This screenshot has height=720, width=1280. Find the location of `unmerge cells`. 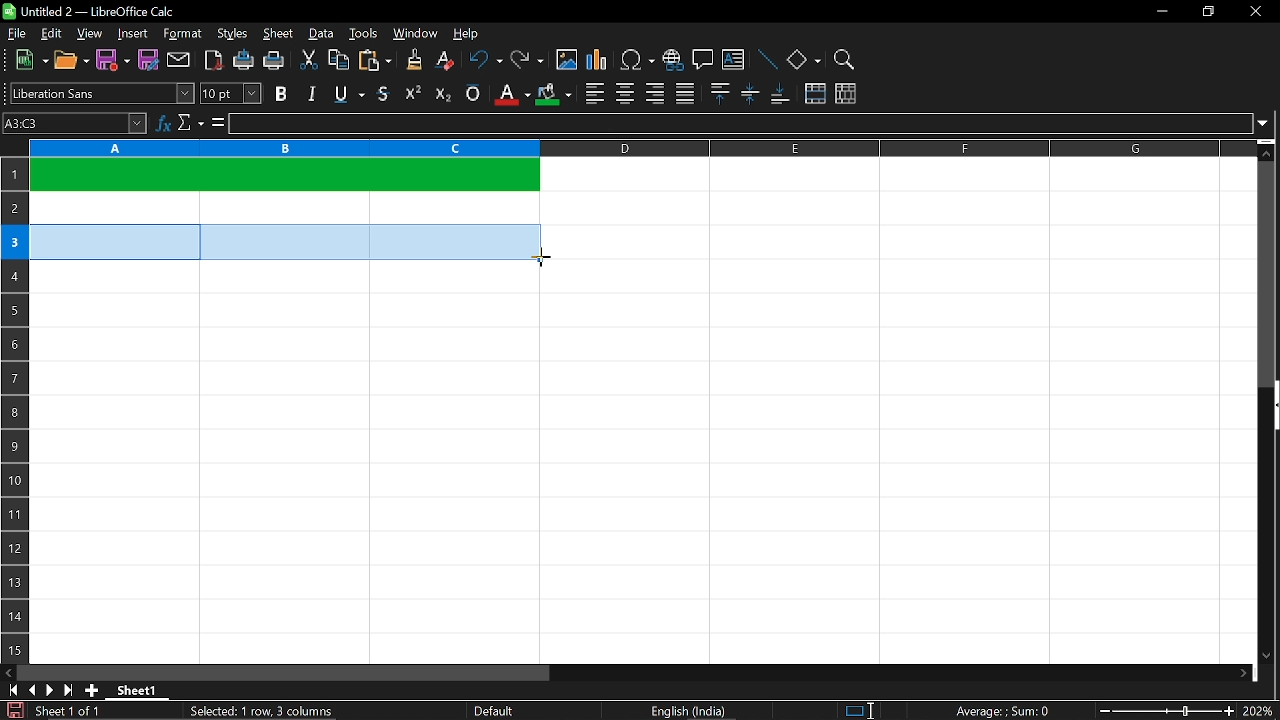

unmerge cells is located at coordinates (846, 95).